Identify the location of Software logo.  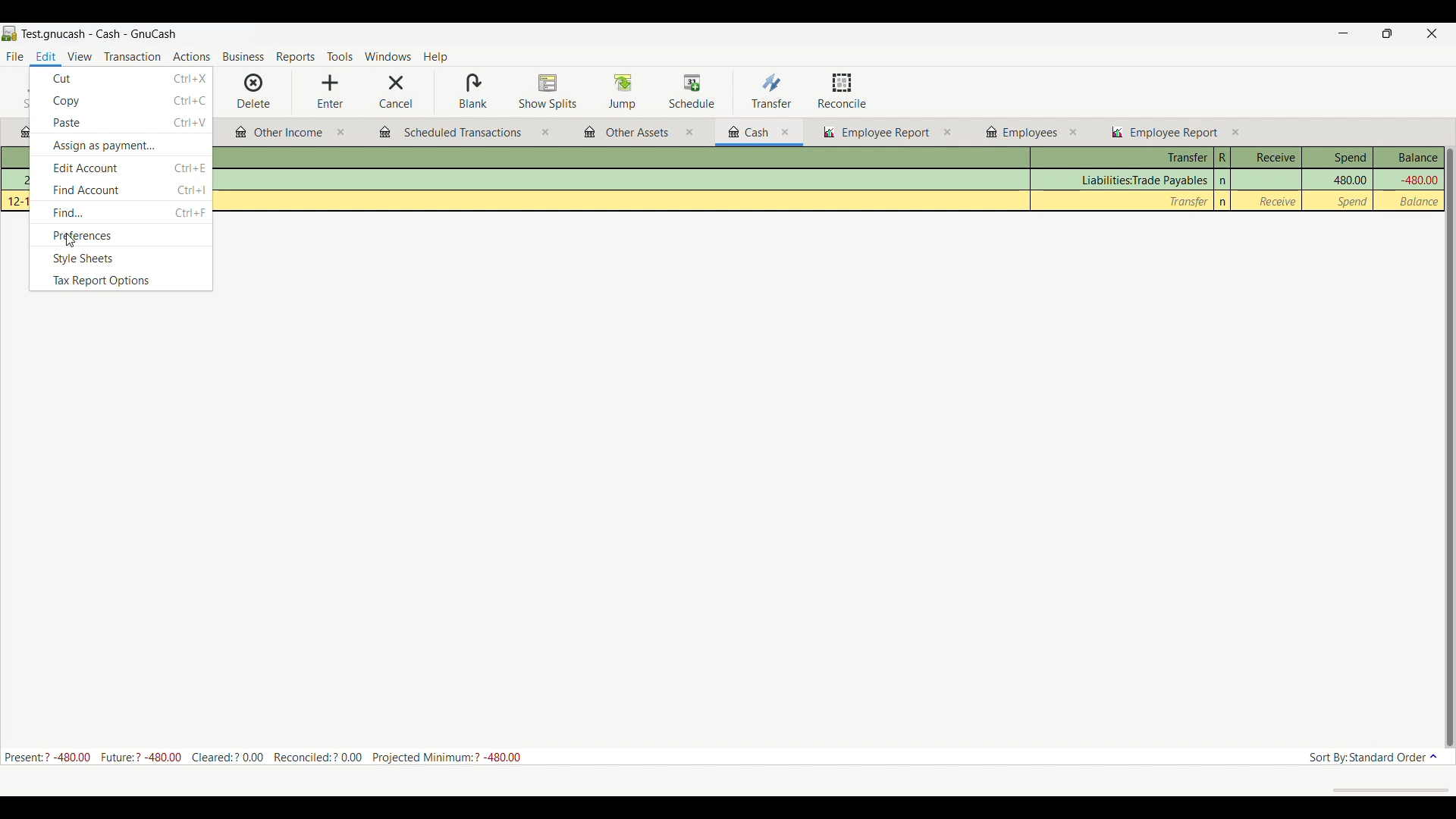
(9, 33).